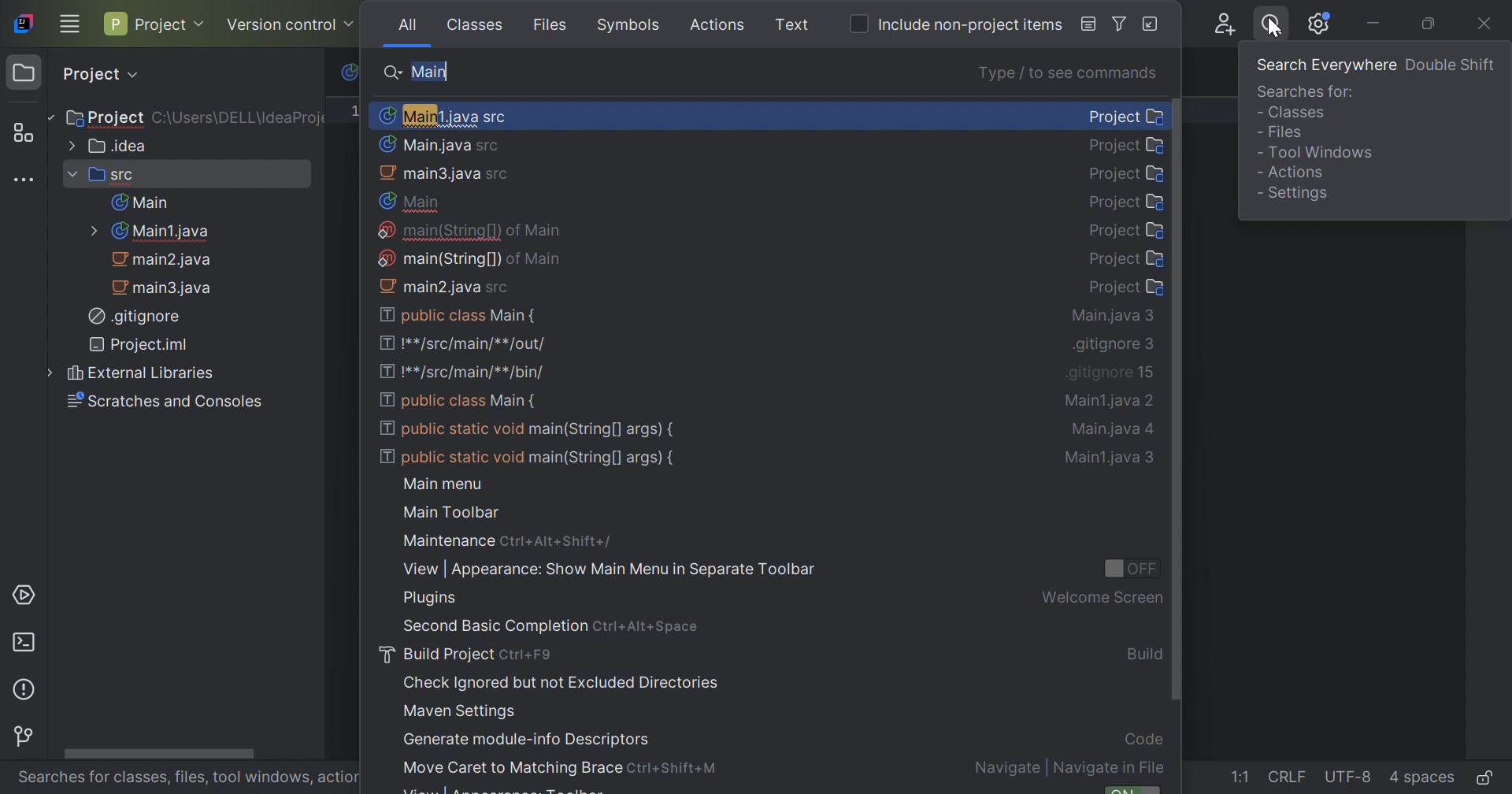 The width and height of the screenshot is (1512, 794). What do you see at coordinates (445, 287) in the screenshot?
I see `main2.java src` at bounding box center [445, 287].